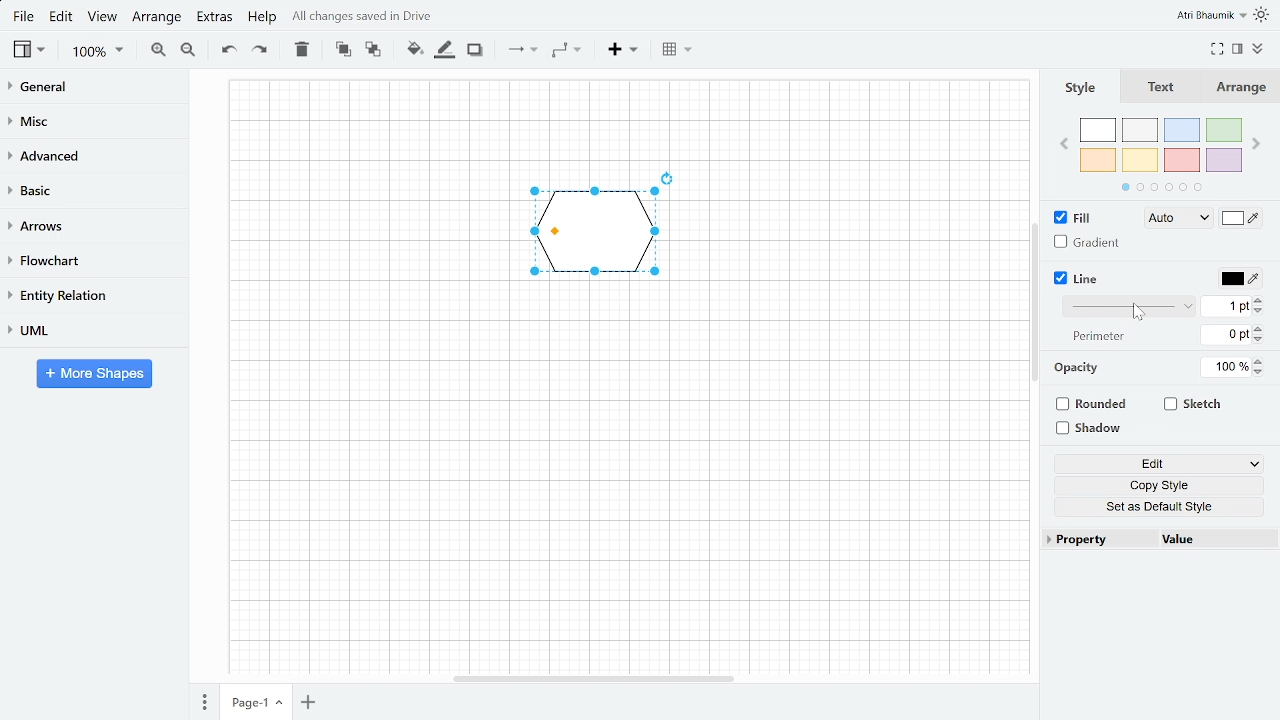  I want to click on Decrease opacity, so click(1259, 374).